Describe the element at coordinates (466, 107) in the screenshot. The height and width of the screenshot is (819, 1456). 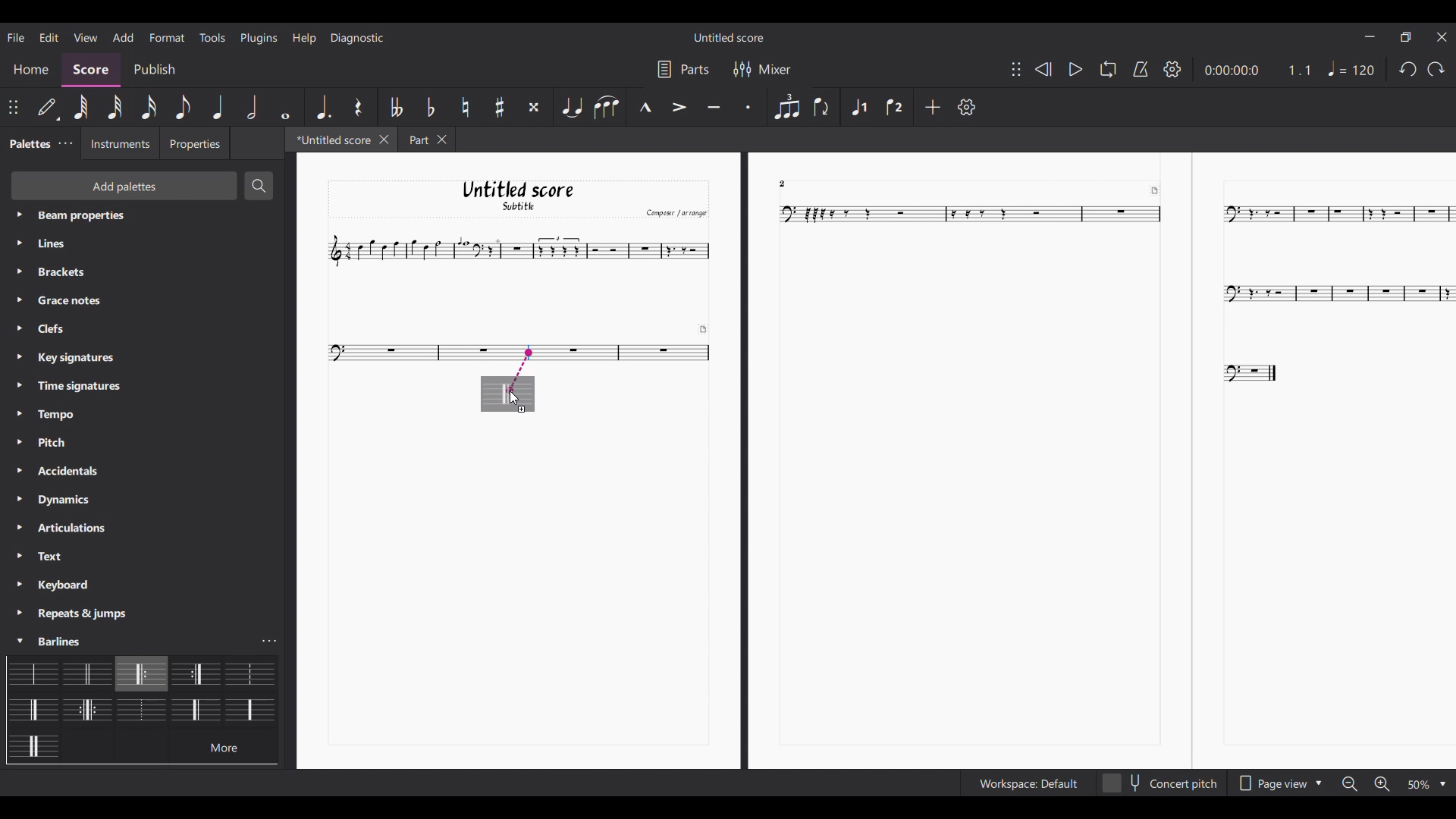
I see `Toggle natural` at that location.